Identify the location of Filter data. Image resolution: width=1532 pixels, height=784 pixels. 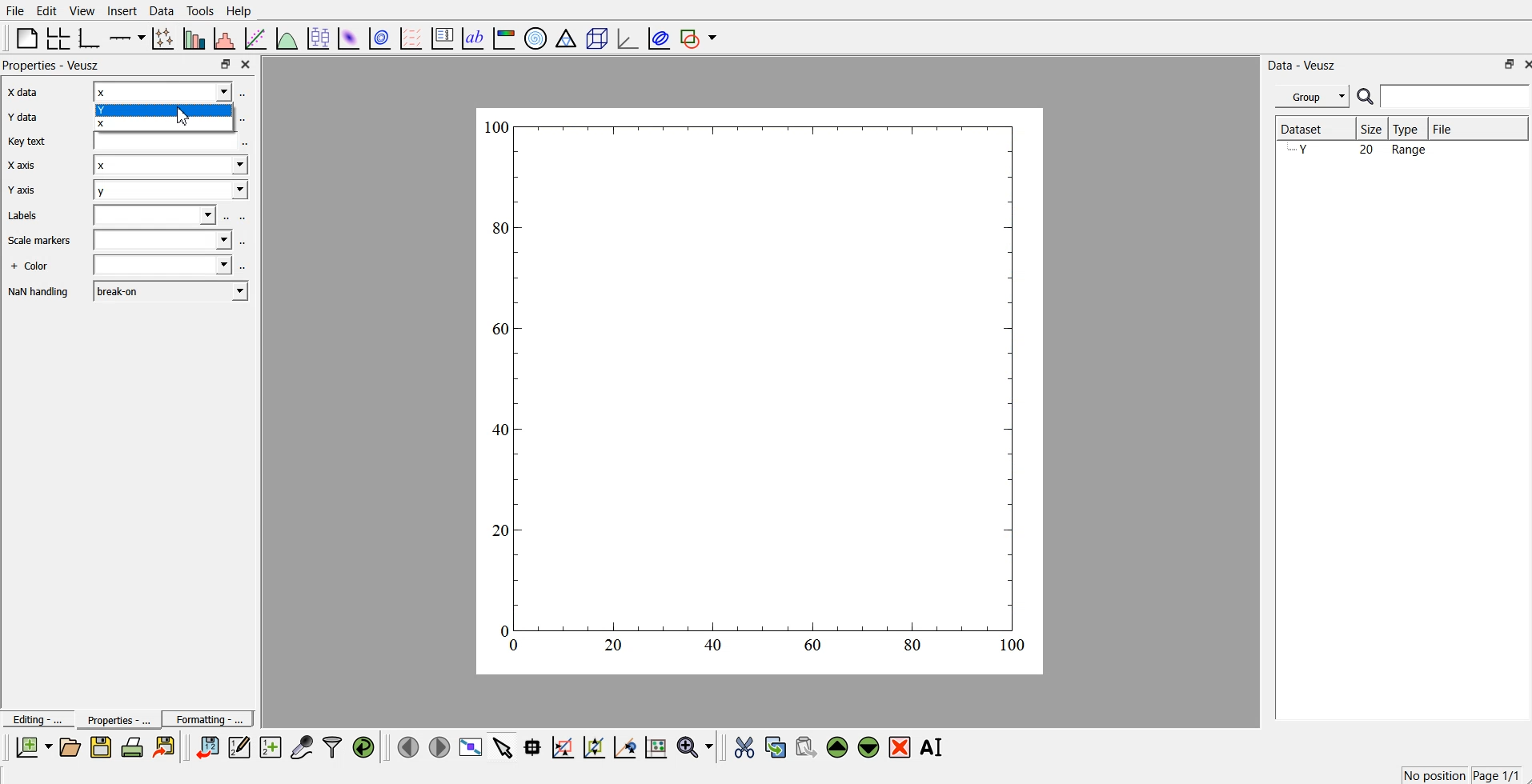
(334, 746).